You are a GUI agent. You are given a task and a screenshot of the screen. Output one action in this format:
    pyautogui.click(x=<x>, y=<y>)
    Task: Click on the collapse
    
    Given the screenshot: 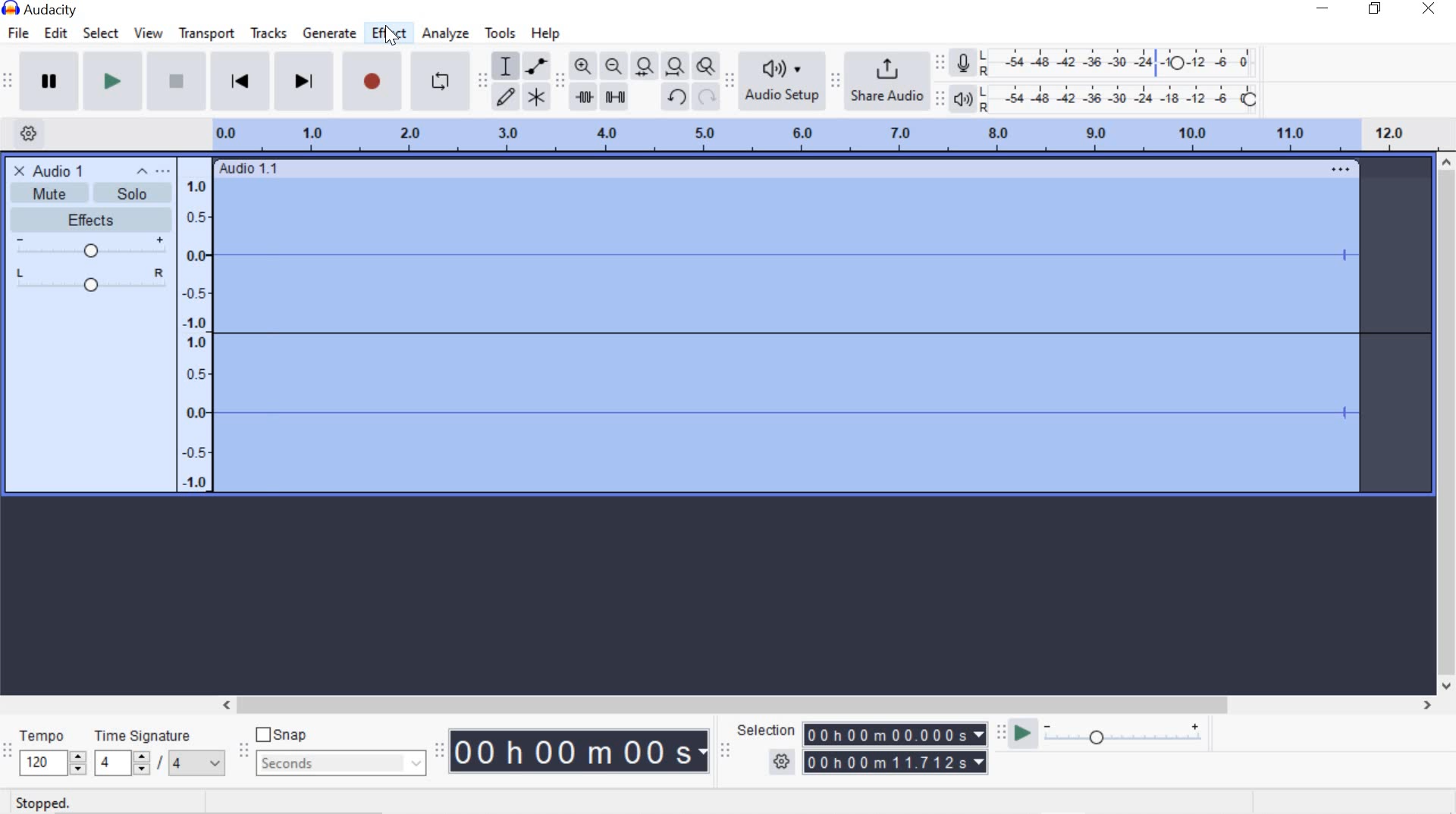 What is the action you would take?
    pyautogui.click(x=143, y=172)
    